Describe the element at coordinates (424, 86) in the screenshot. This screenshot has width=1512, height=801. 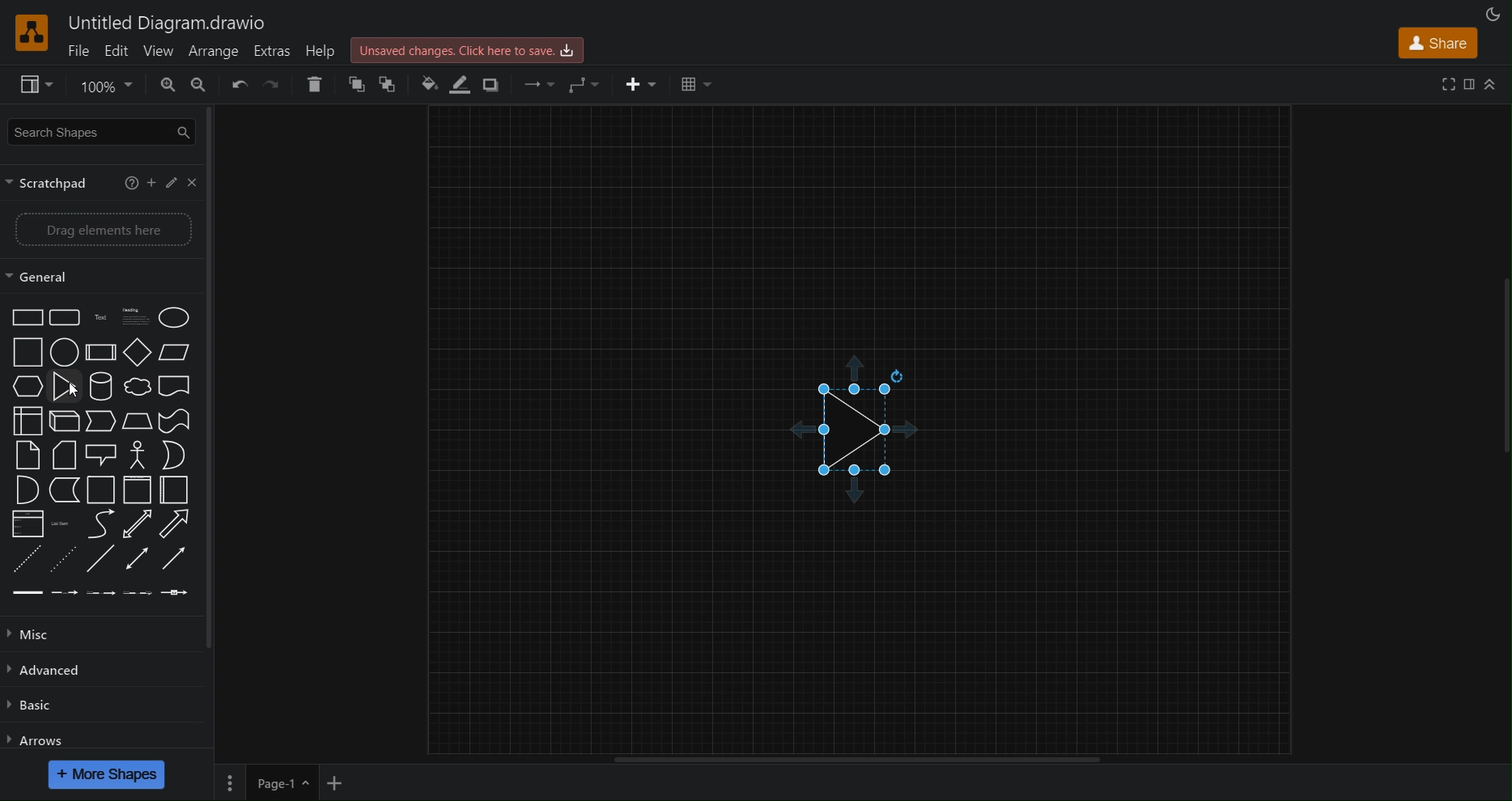
I see `Fill Color` at that location.